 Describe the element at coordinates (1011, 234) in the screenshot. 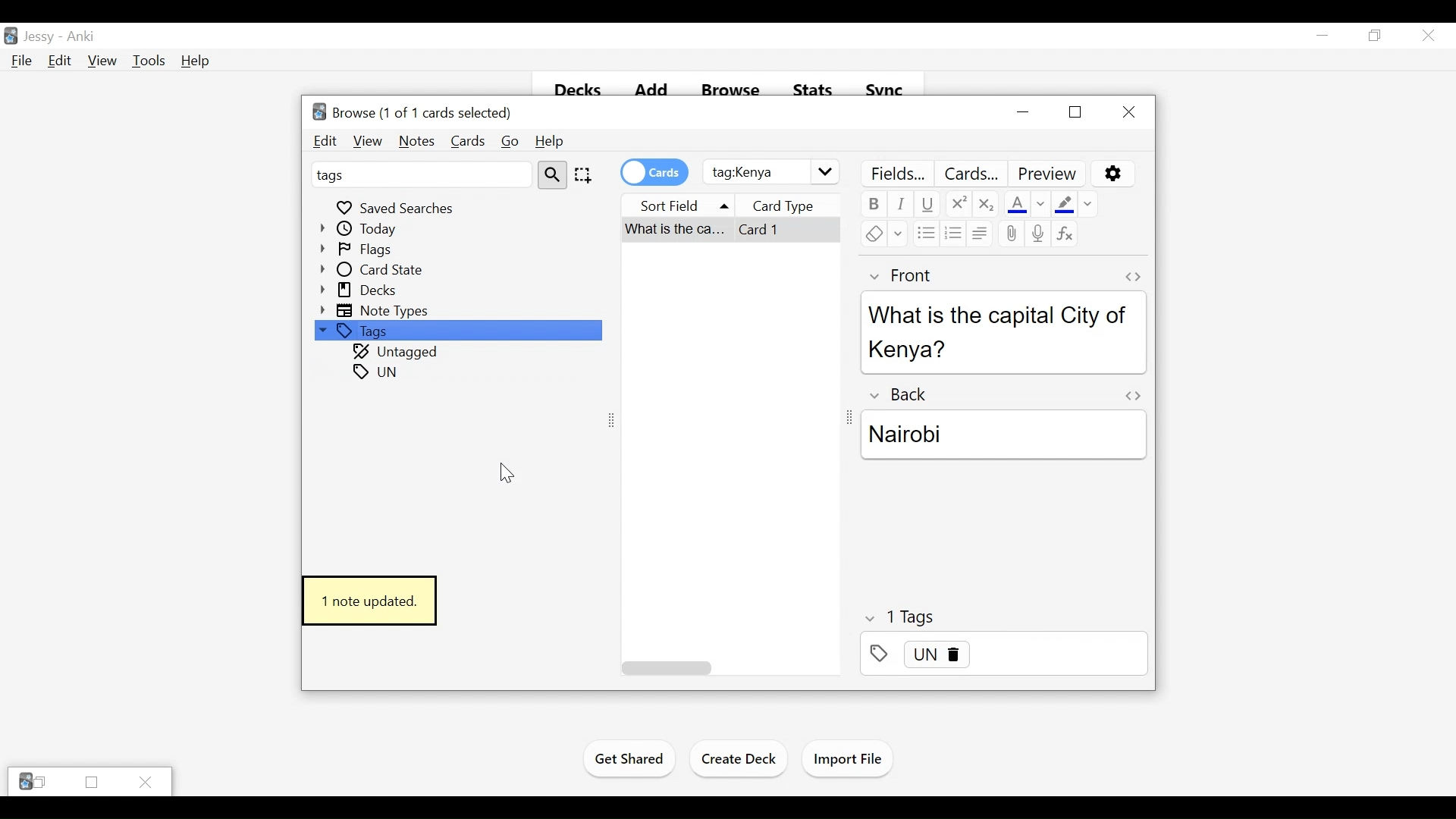

I see `Attach pictures/audio/files` at that location.